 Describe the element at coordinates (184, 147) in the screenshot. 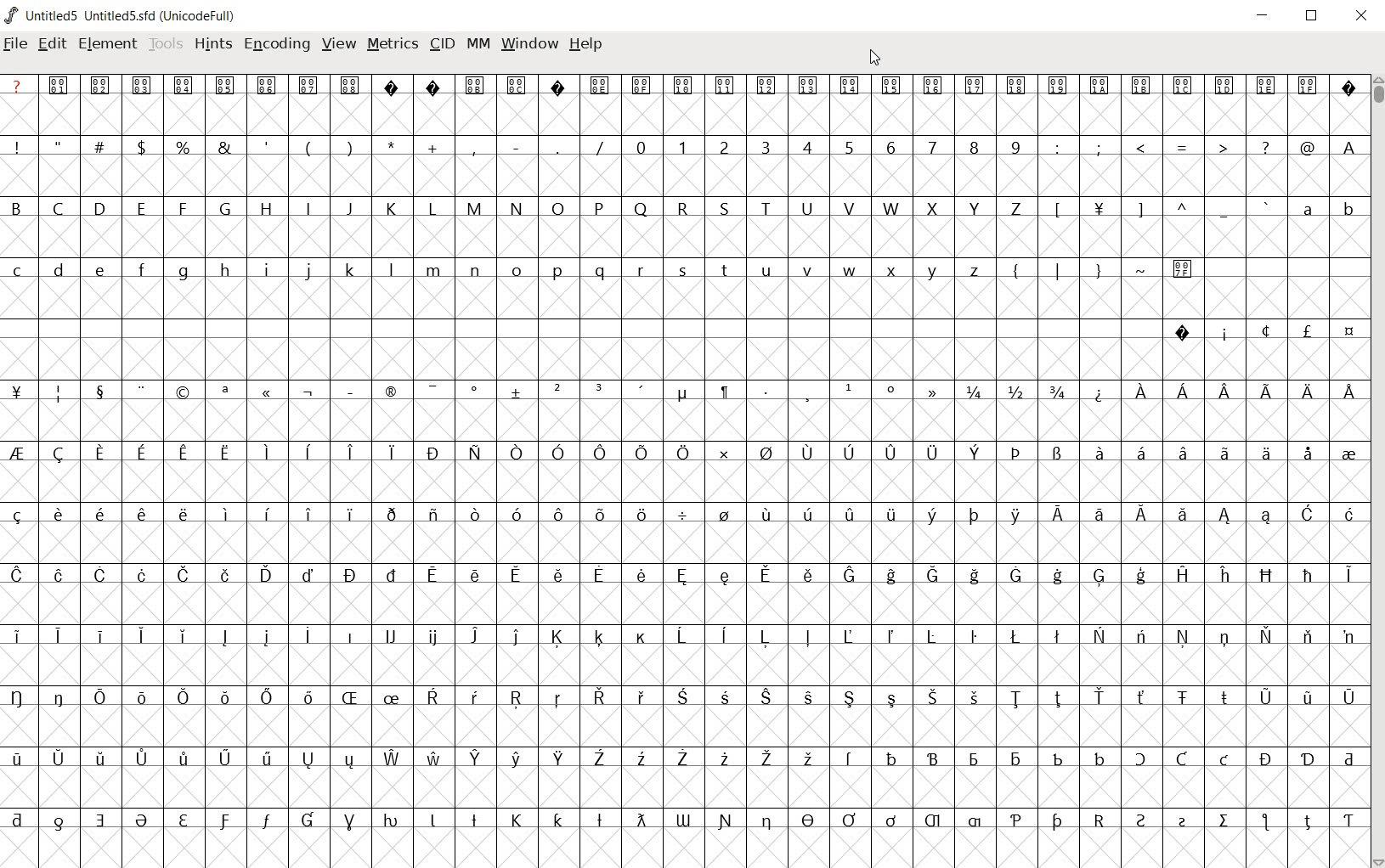

I see `%` at that location.